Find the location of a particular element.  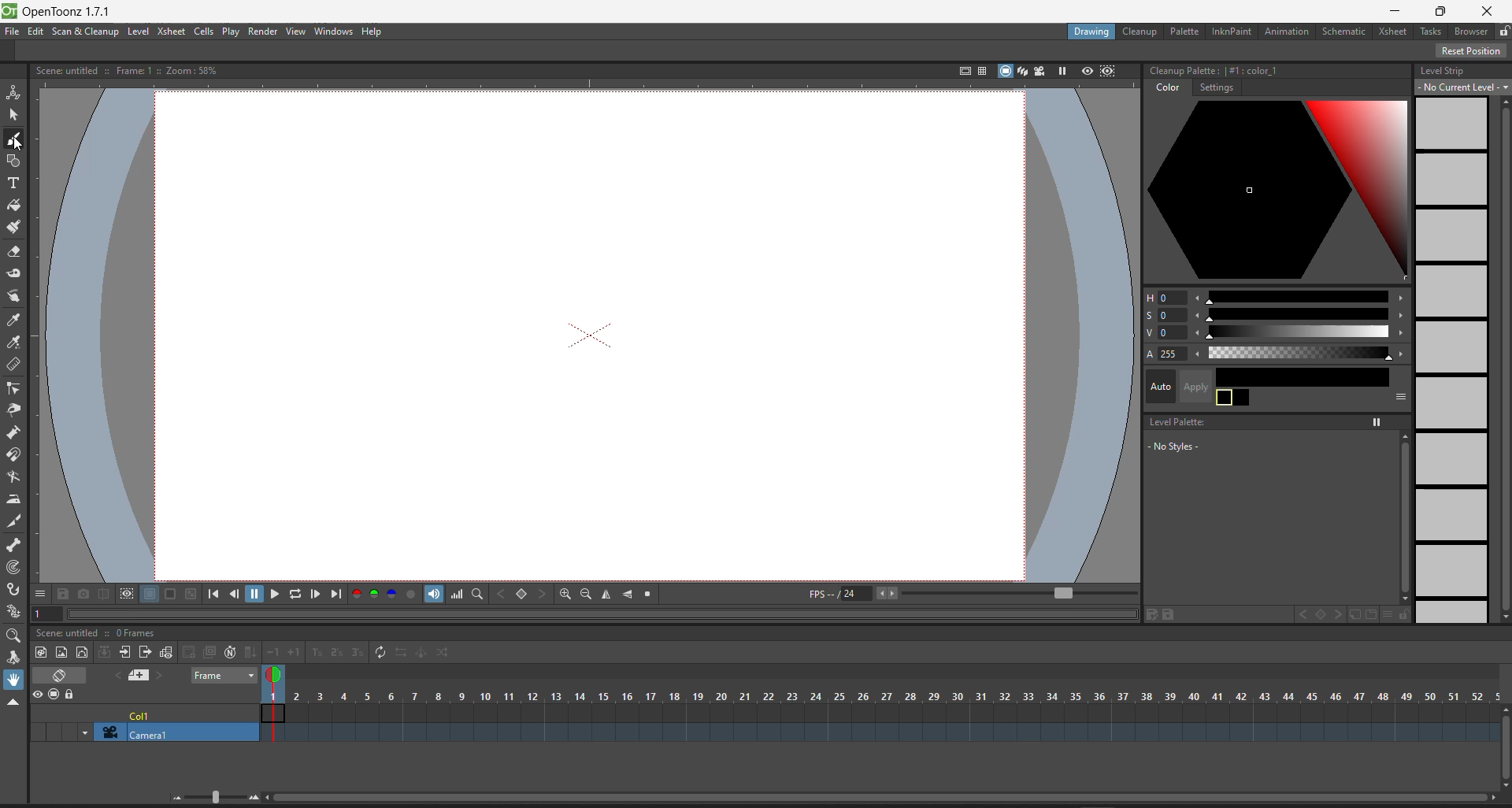

preview is located at coordinates (1084, 69).